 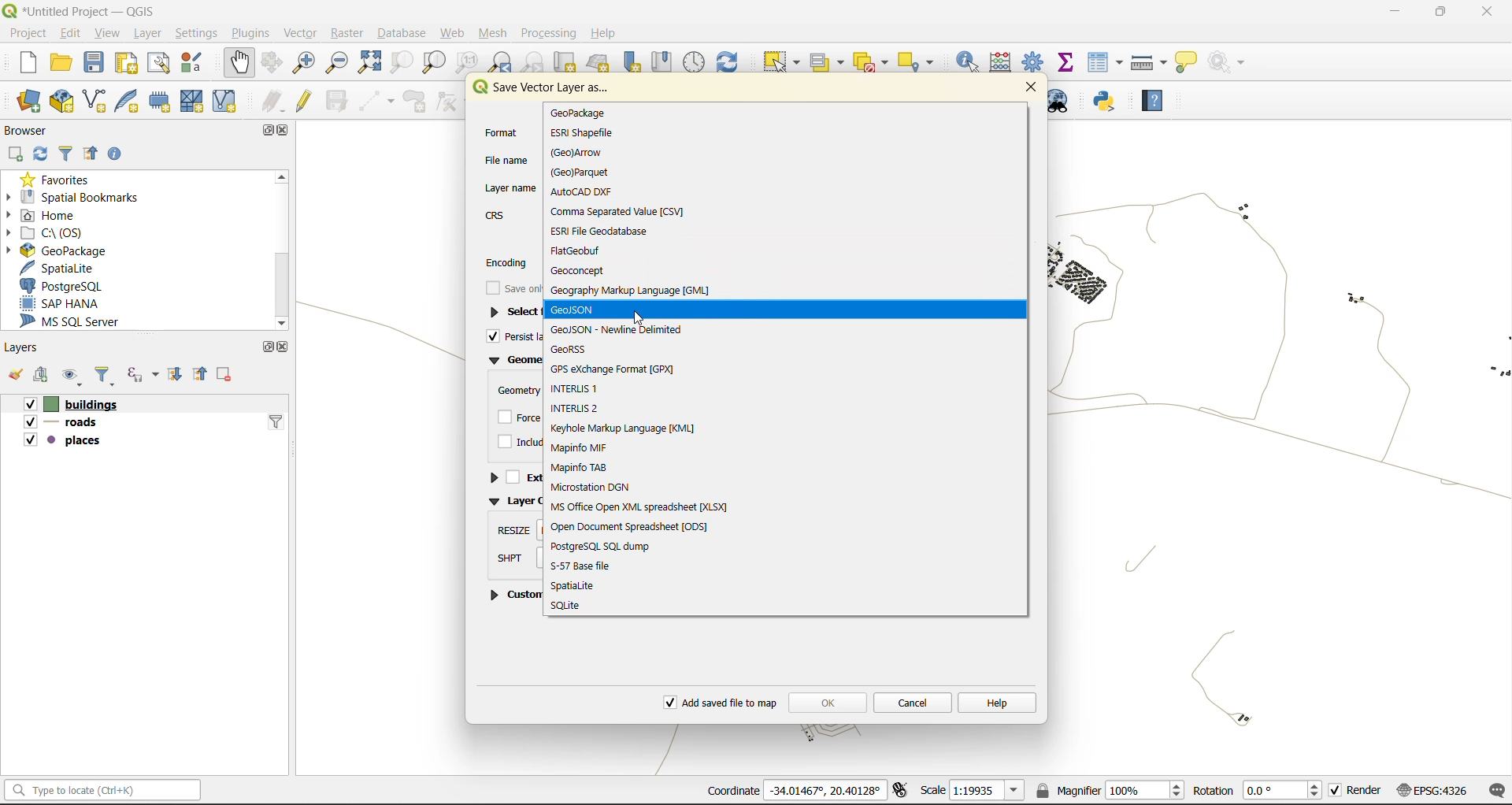 I want to click on toolbox, so click(x=1035, y=63).